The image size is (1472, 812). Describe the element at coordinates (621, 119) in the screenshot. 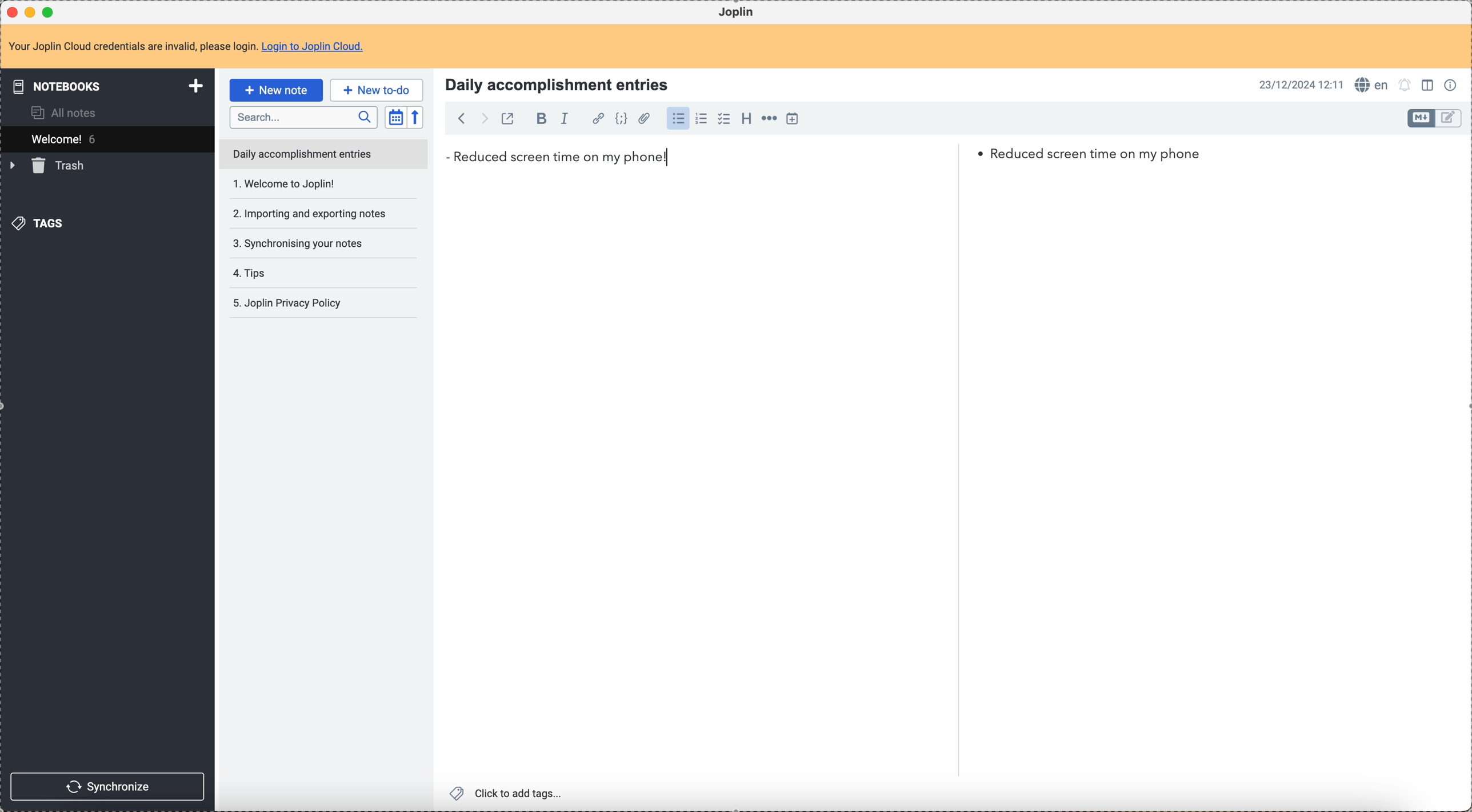

I see `code` at that location.